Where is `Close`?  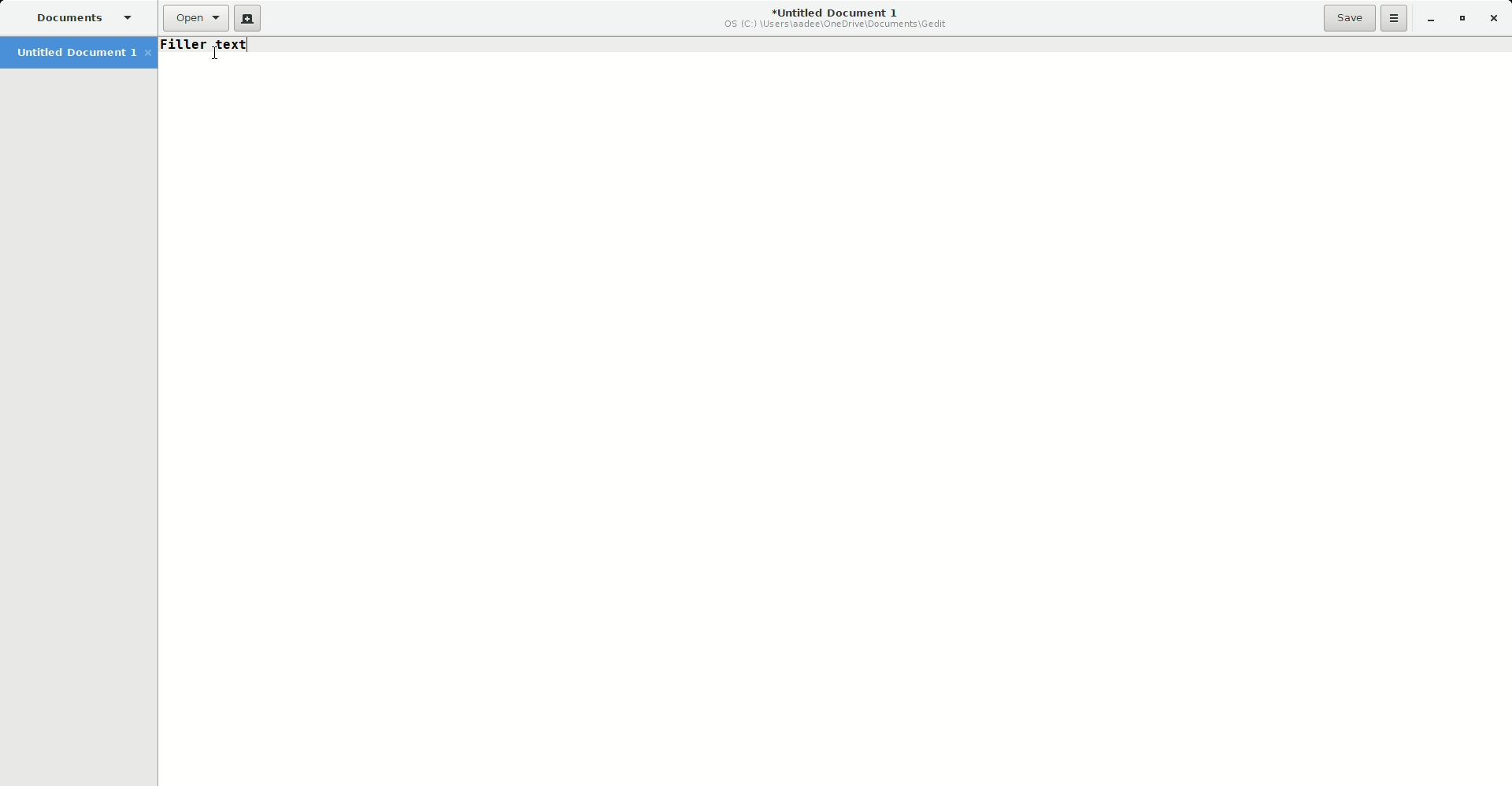 Close is located at coordinates (1495, 19).